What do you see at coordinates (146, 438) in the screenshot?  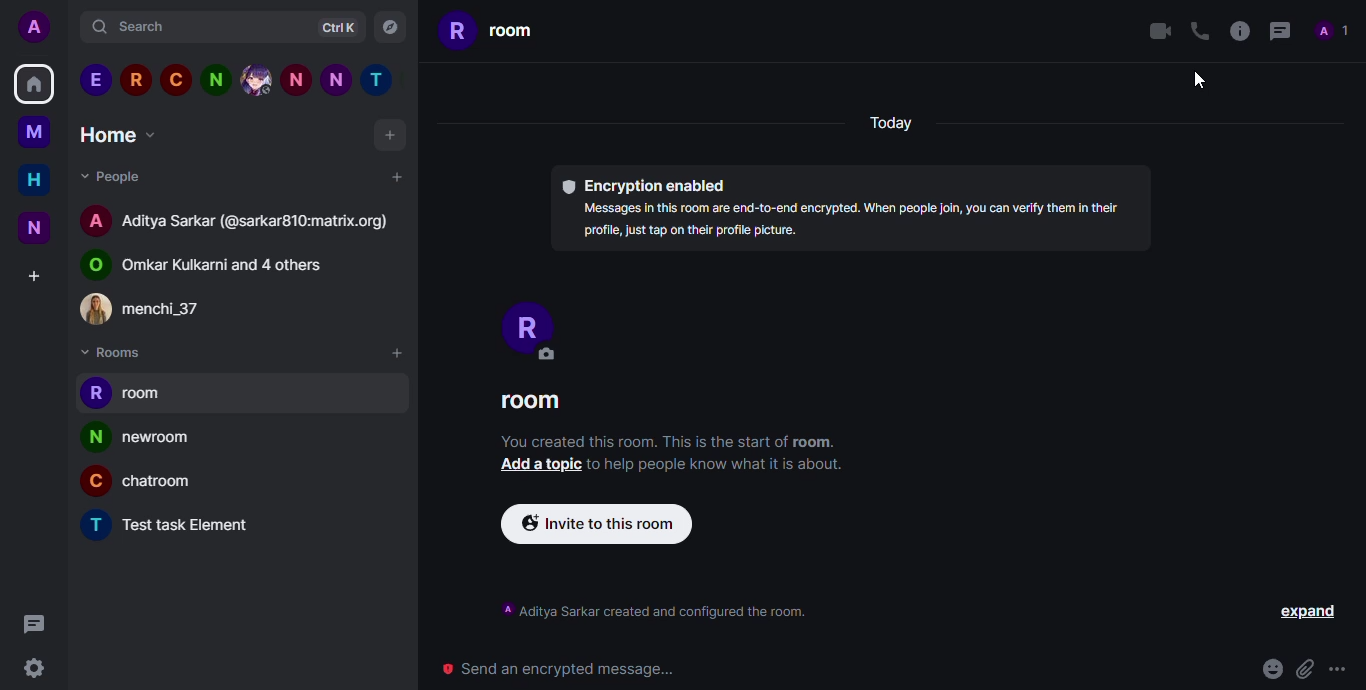 I see `newsroom` at bounding box center [146, 438].